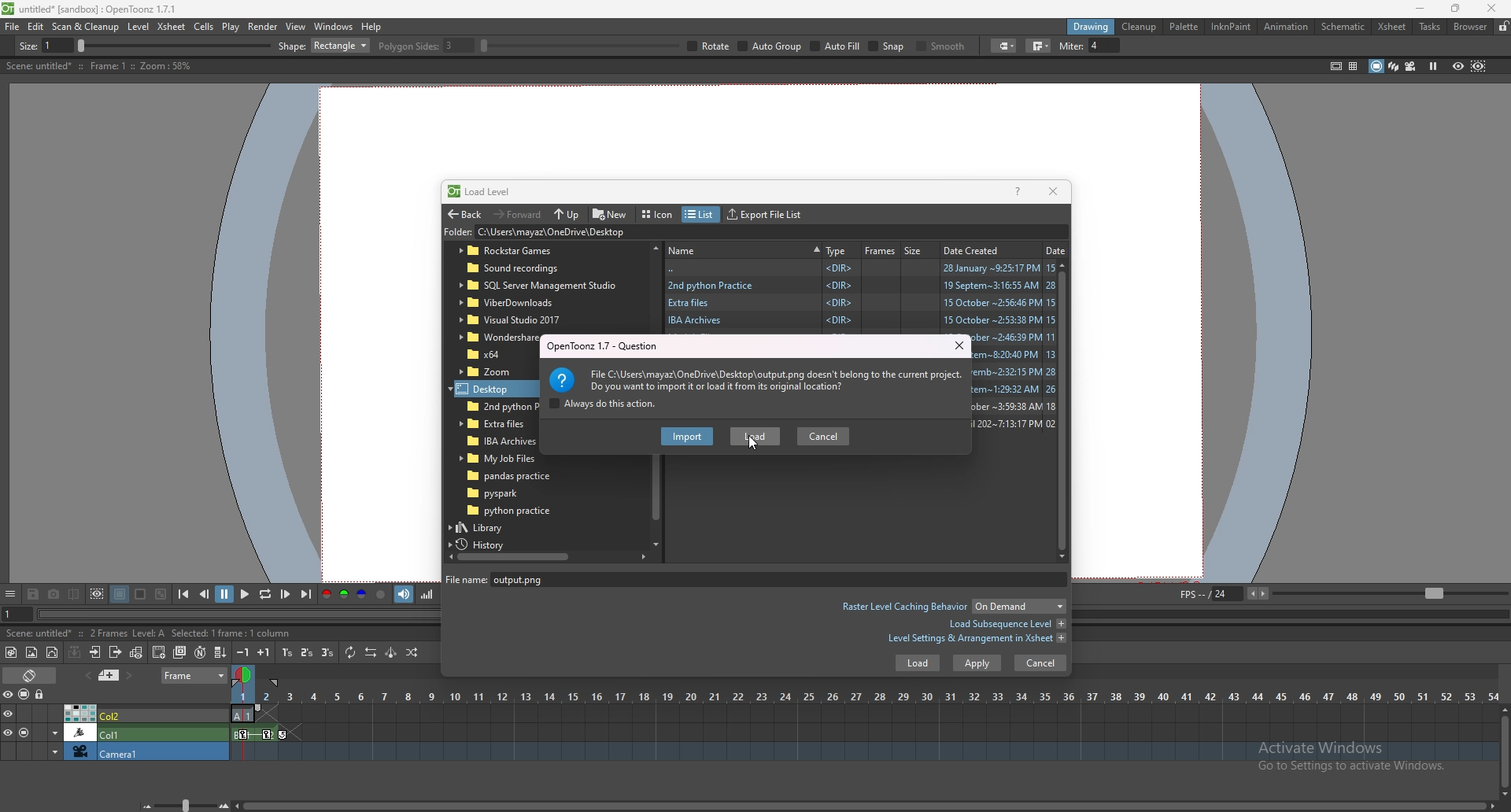 The image size is (1511, 812). What do you see at coordinates (203, 26) in the screenshot?
I see `cells` at bounding box center [203, 26].